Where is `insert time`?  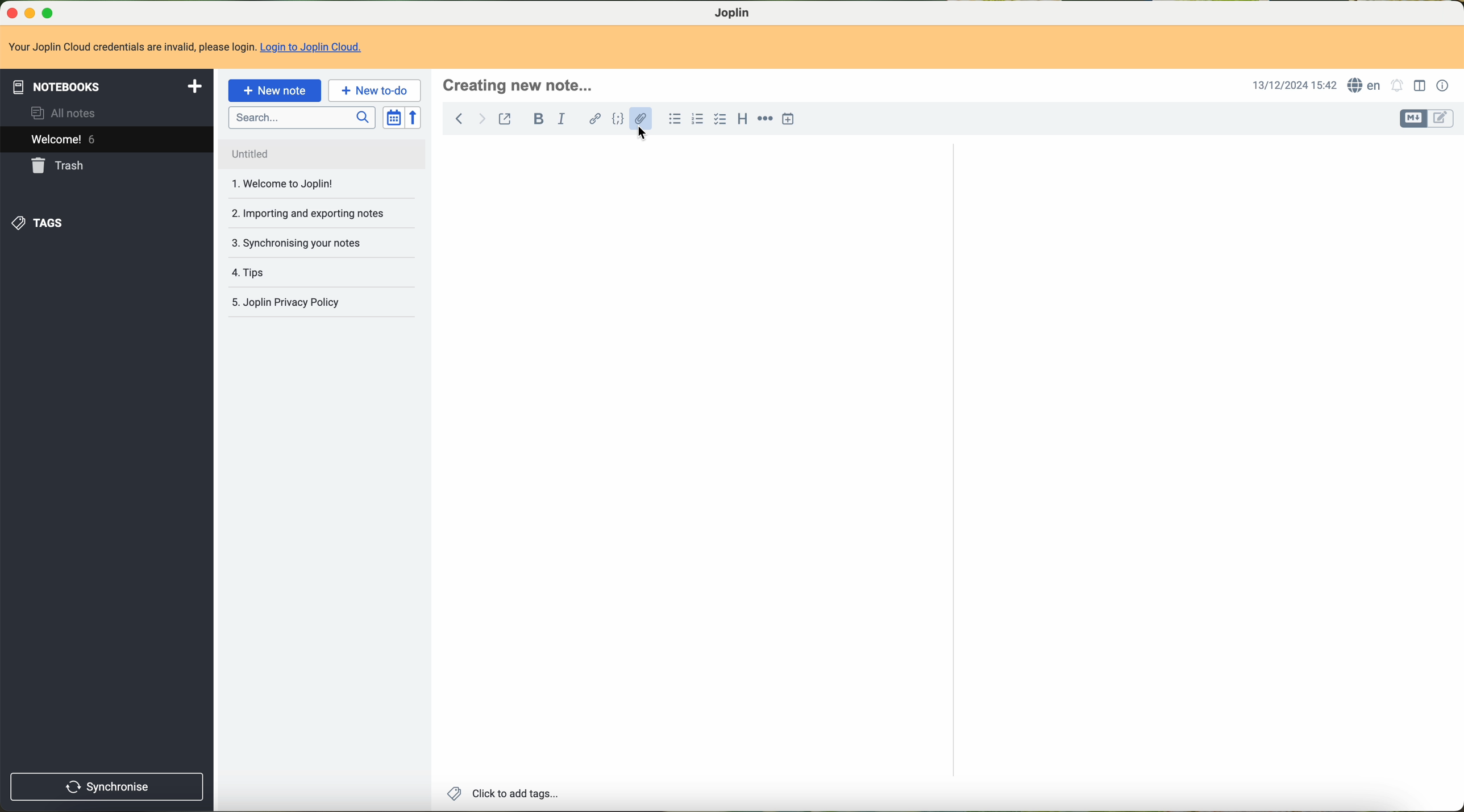 insert time is located at coordinates (788, 120).